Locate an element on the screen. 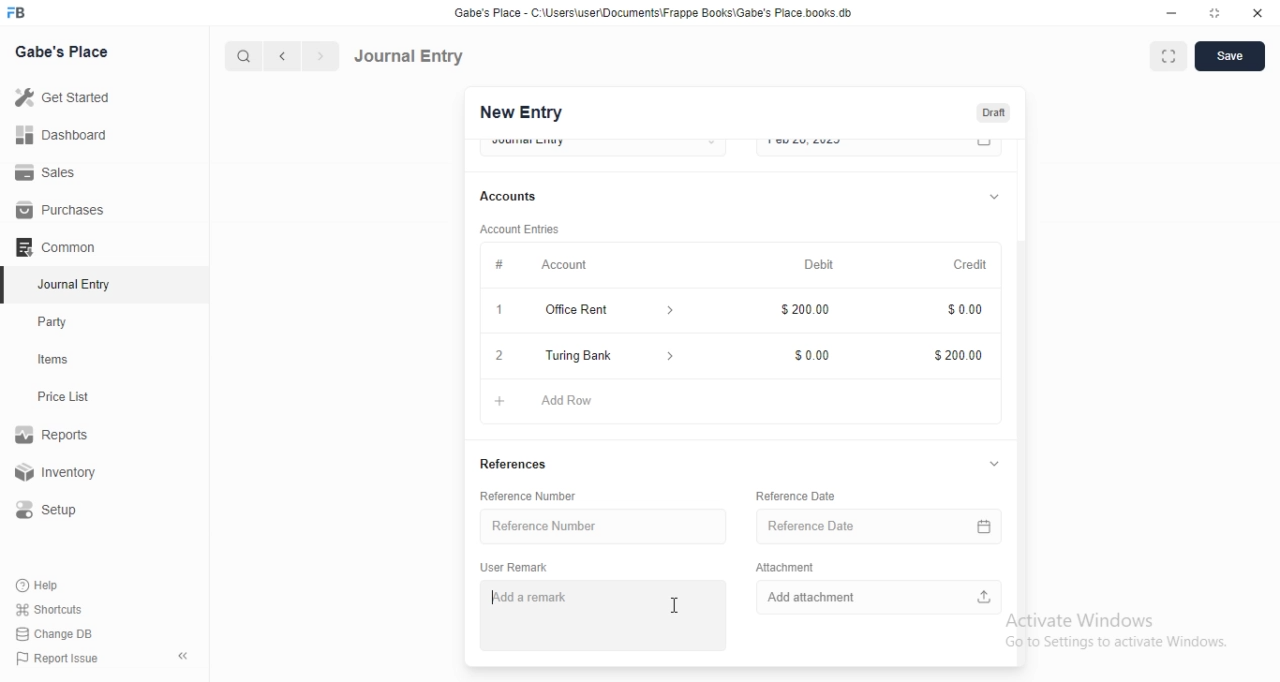 The image size is (1280, 682). FB logo is located at coordinates (18, 13).